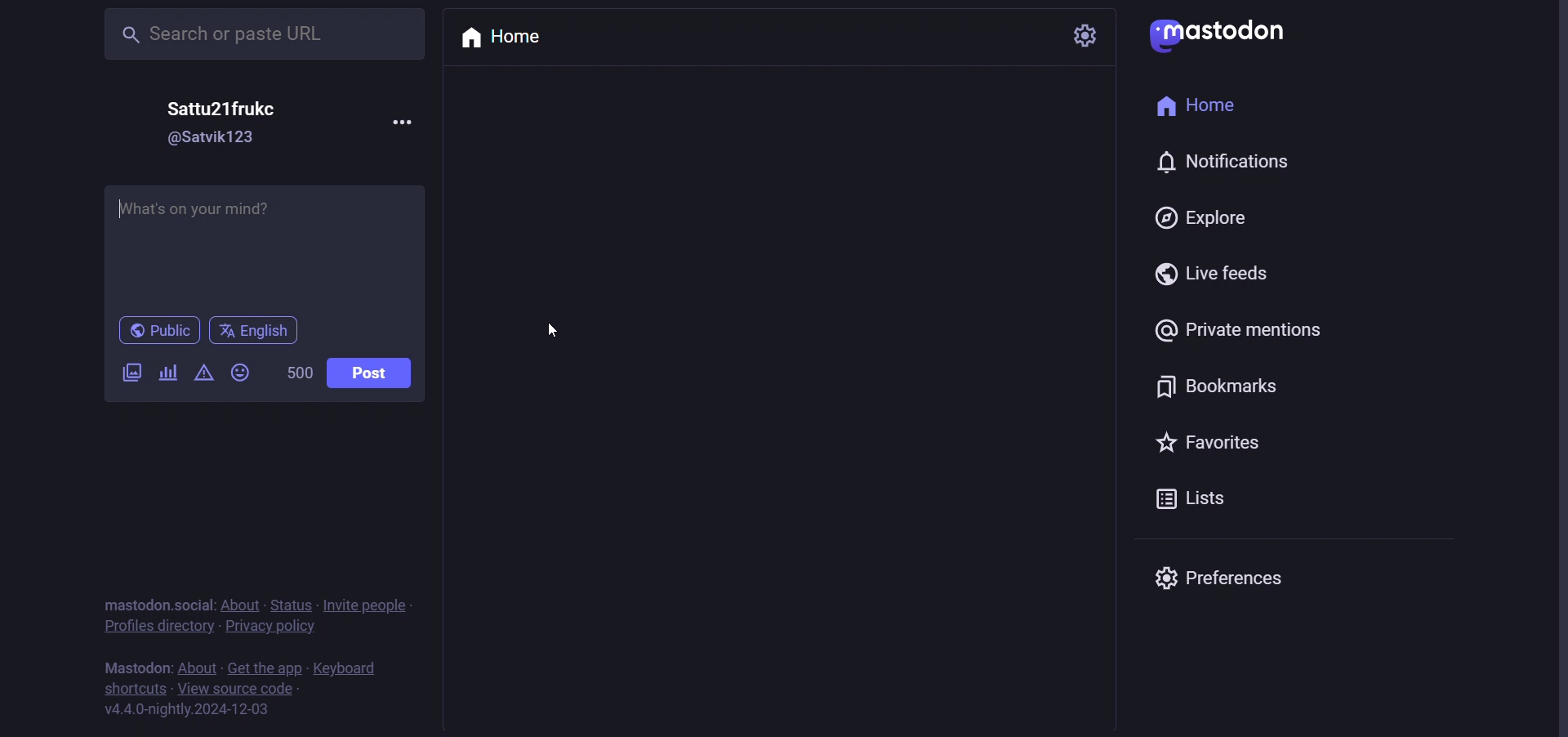  What do you see at coordinates (196, 666) in the screenshot?
I see `about` at bounding box center [196, 666].